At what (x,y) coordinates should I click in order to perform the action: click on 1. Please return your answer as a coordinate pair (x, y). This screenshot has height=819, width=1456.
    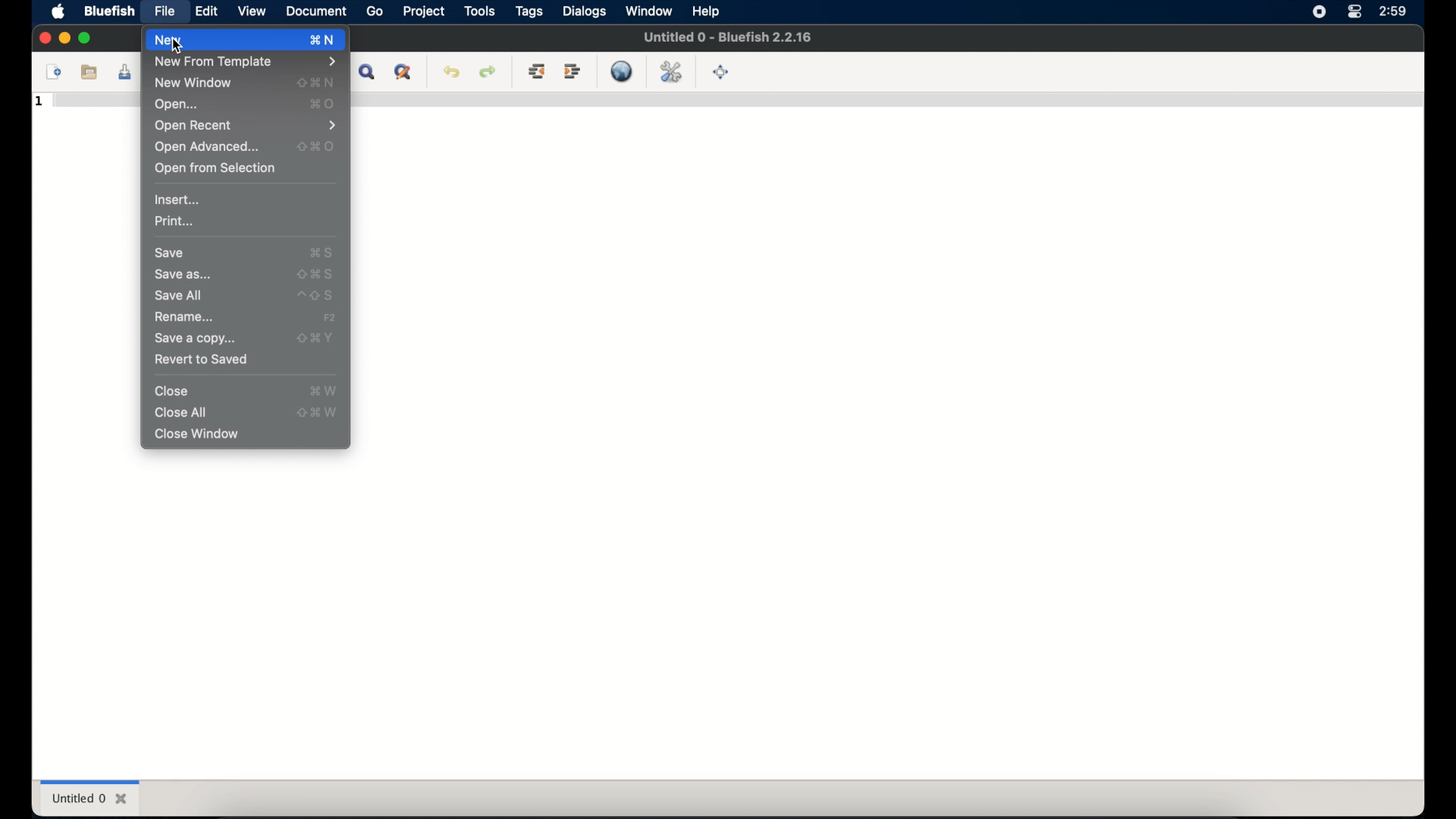
    Looking at the image, I should click on (39, 102).